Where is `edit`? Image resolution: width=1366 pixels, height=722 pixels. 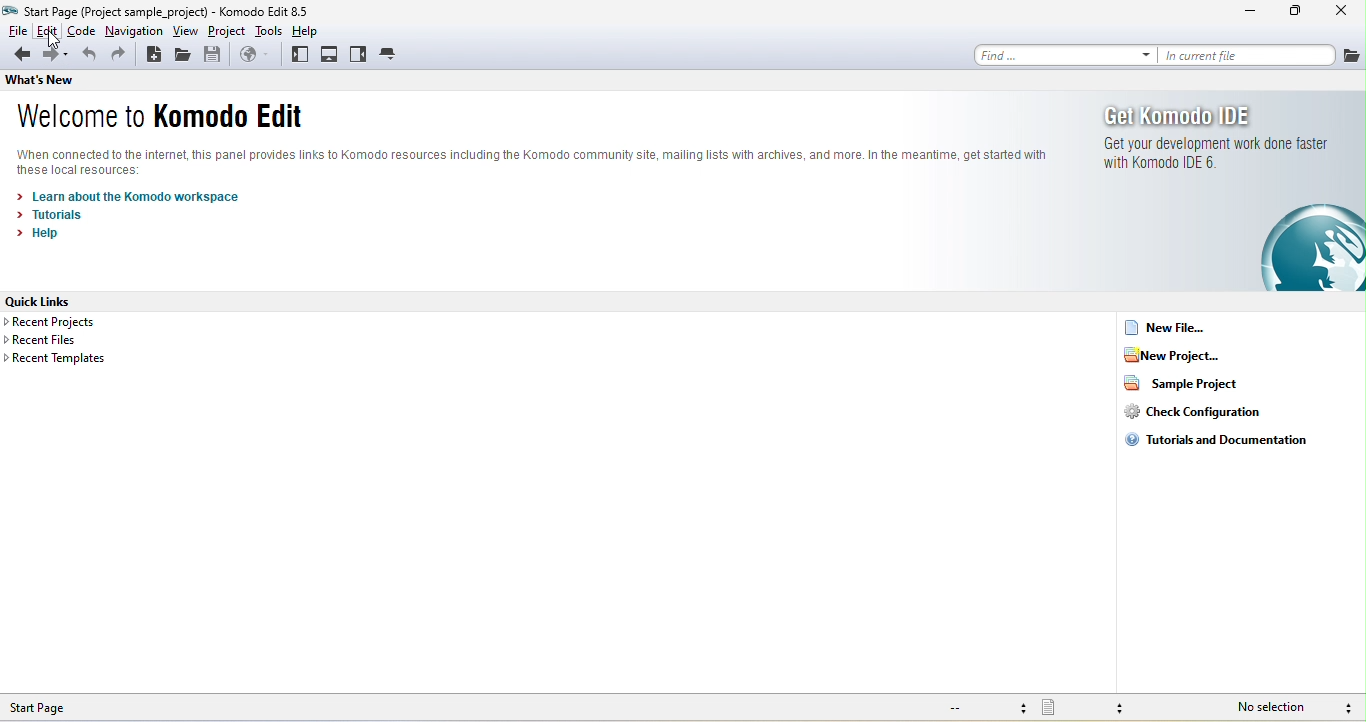 edit is located at coordinates (47, 31).